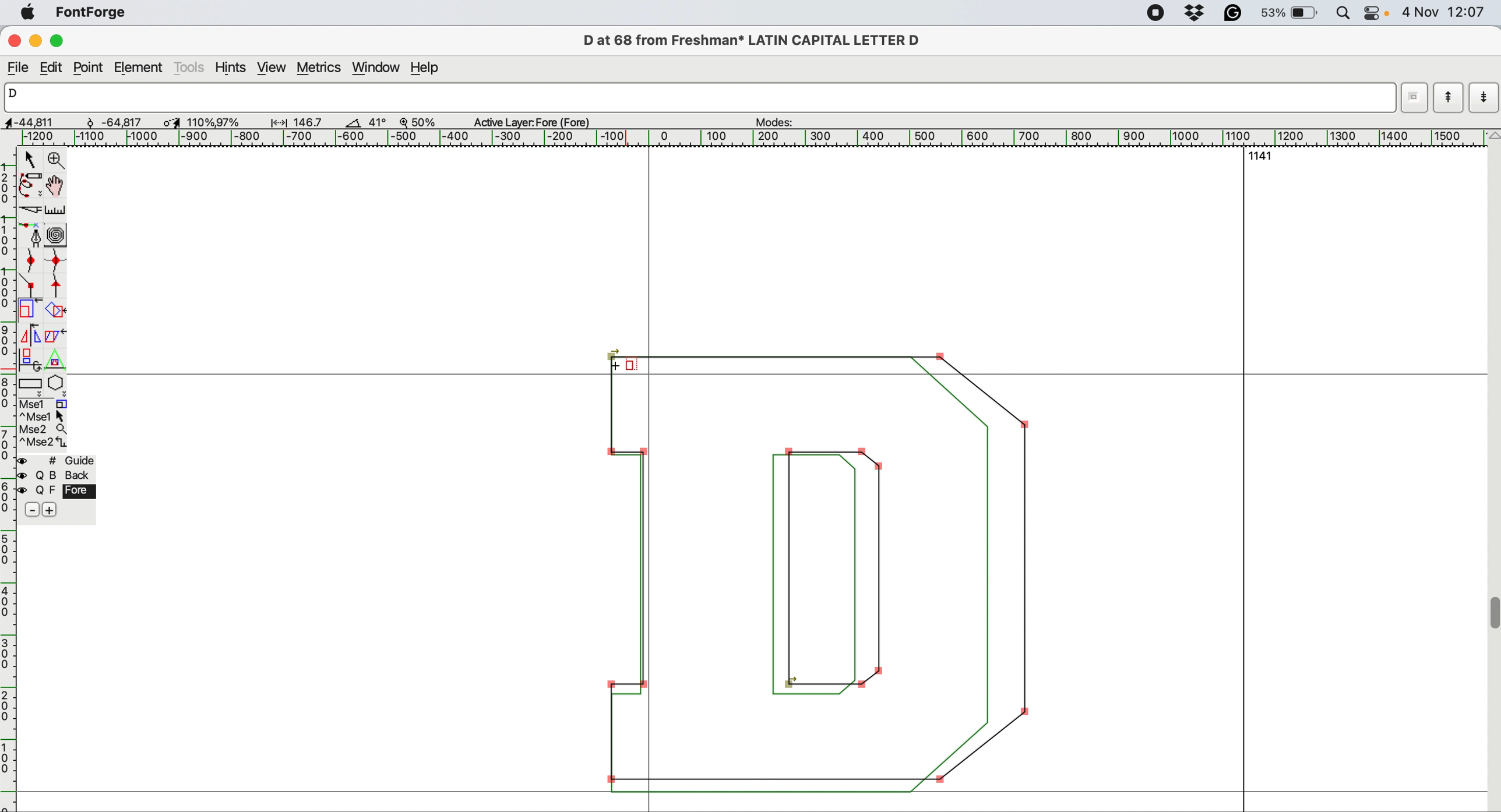 Image resolution: width=1501 pixels, height=812 pixels. Describe the element at coordinates (692, 97) in the screenshot. I see `D` at that location.